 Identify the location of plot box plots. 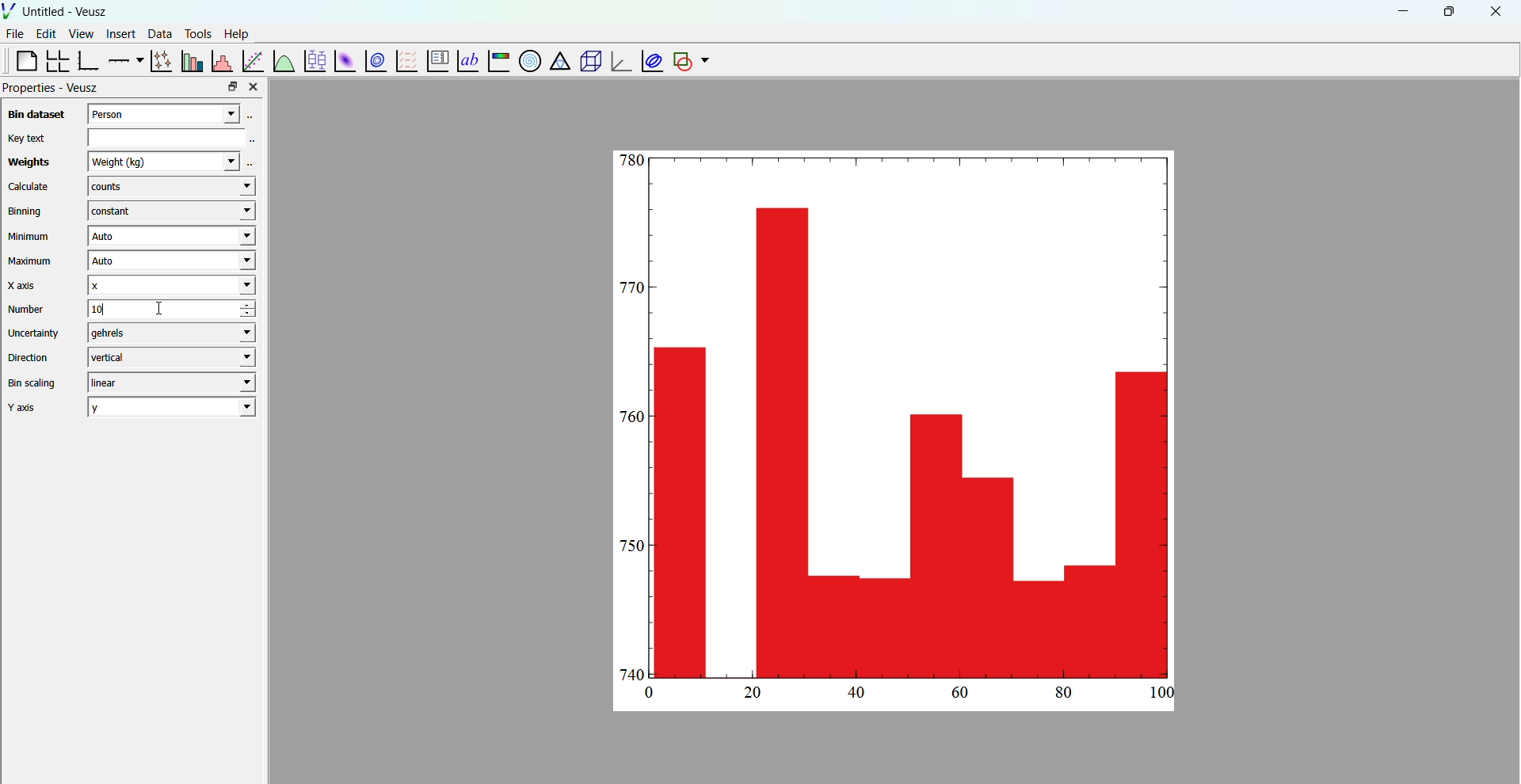
(314, 61).